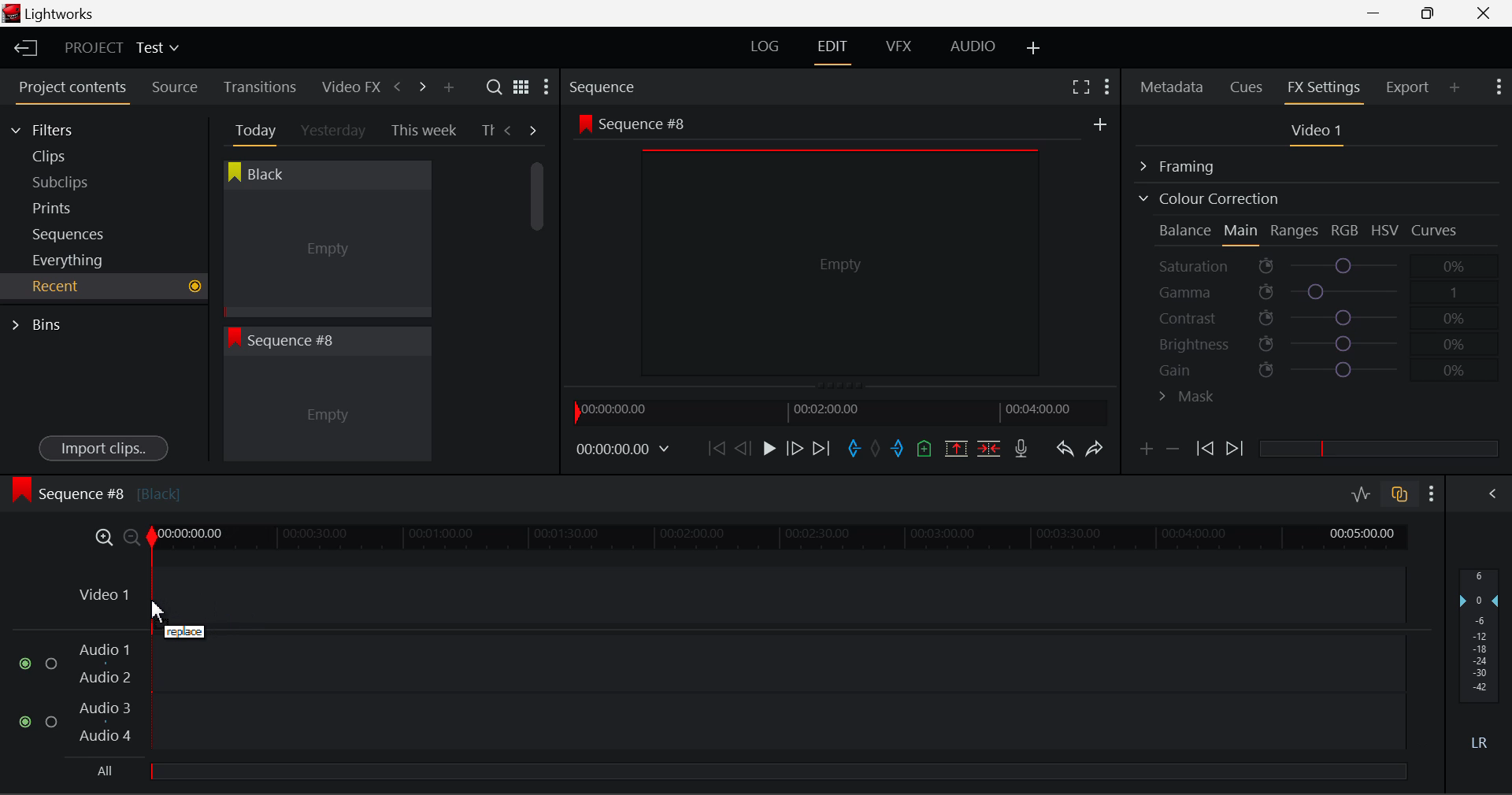 Image resolution: width=1512 pixels, height=795 pixels. Describe the element at coordinates (1236, 449) in the screenshot. I see `Next keyframe` at that location.